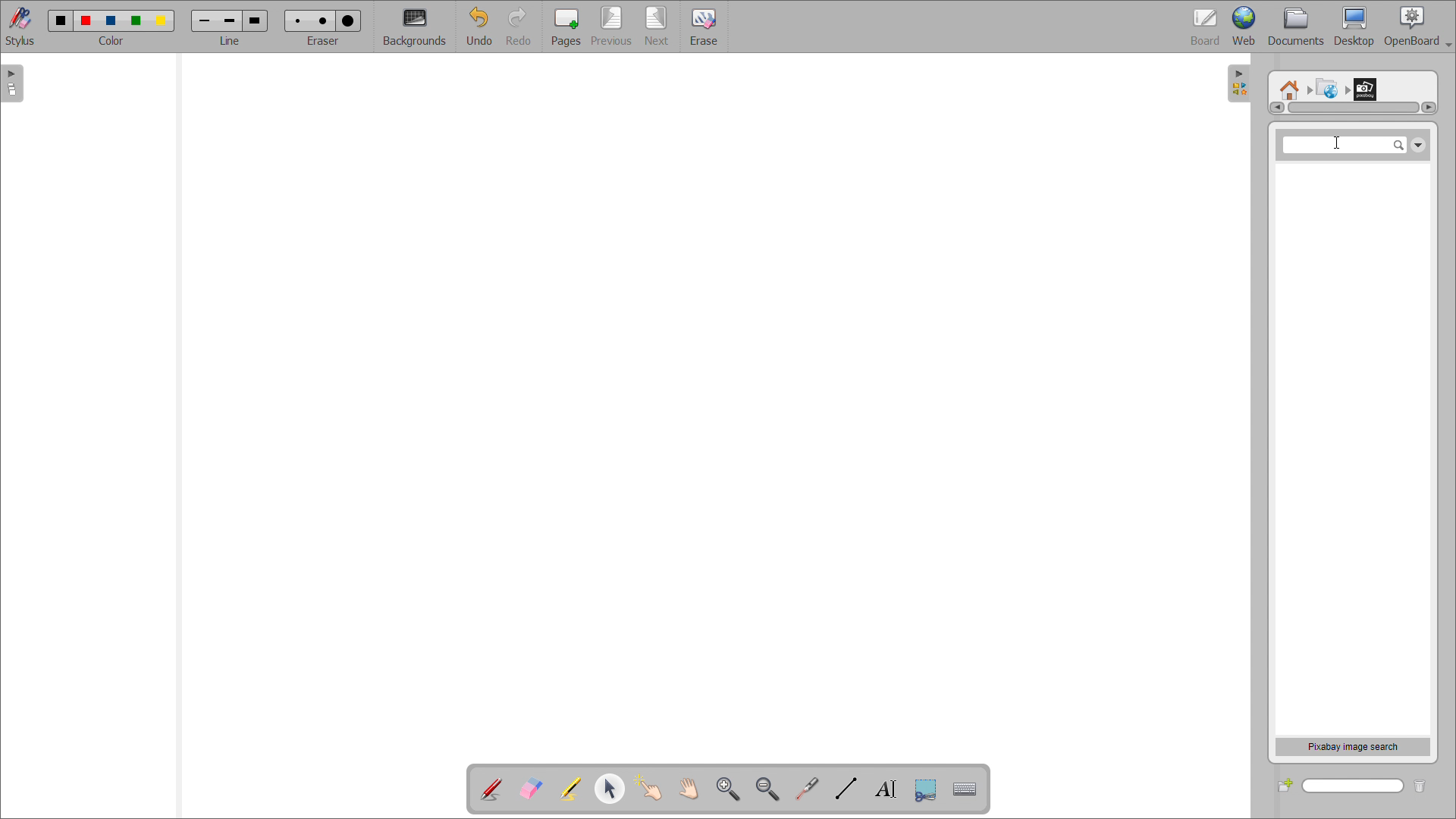  I want to click on openboard settings, so click(1417, 27).